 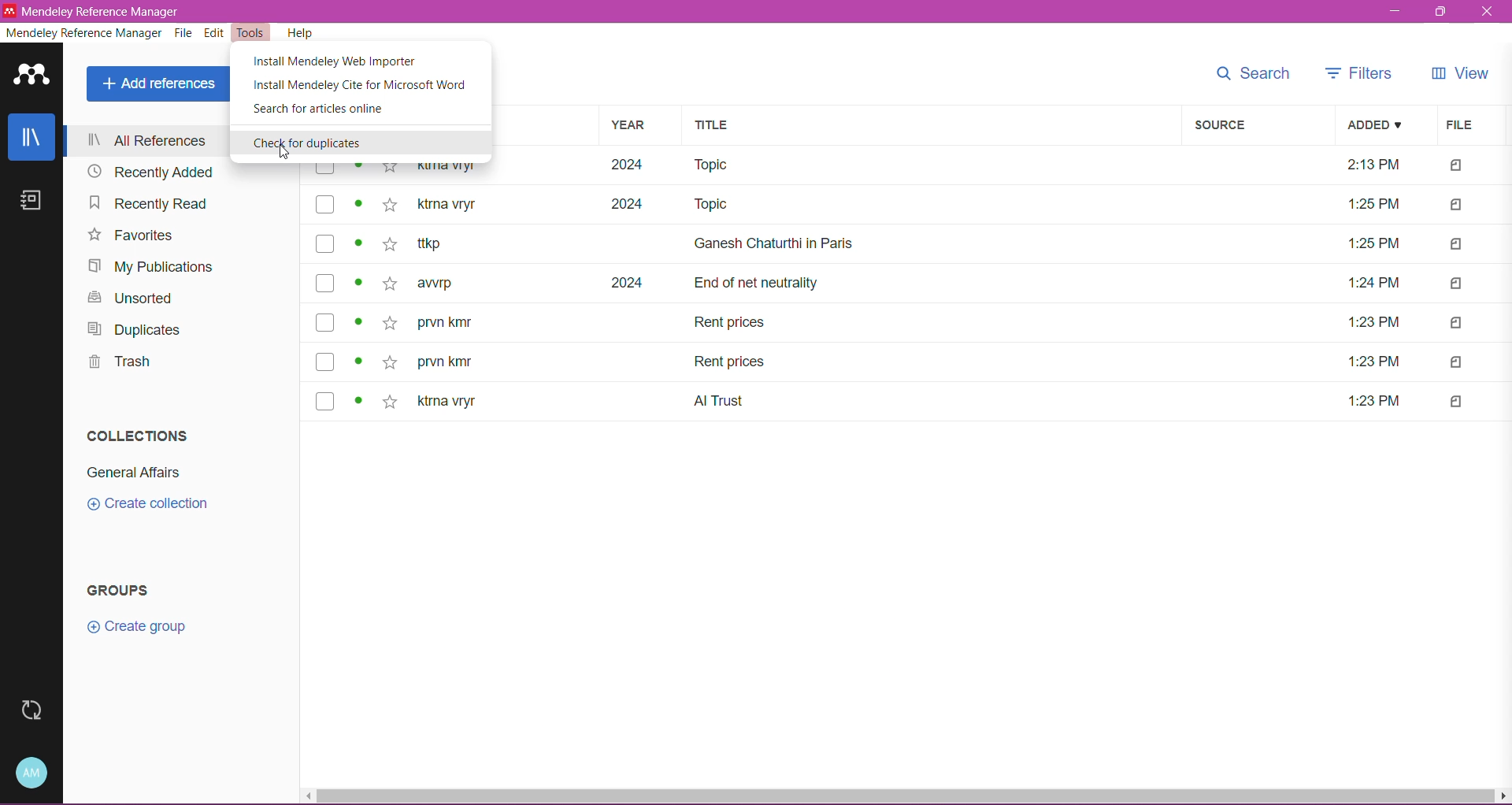 I want to click on Title, so click(x=772, y=242).